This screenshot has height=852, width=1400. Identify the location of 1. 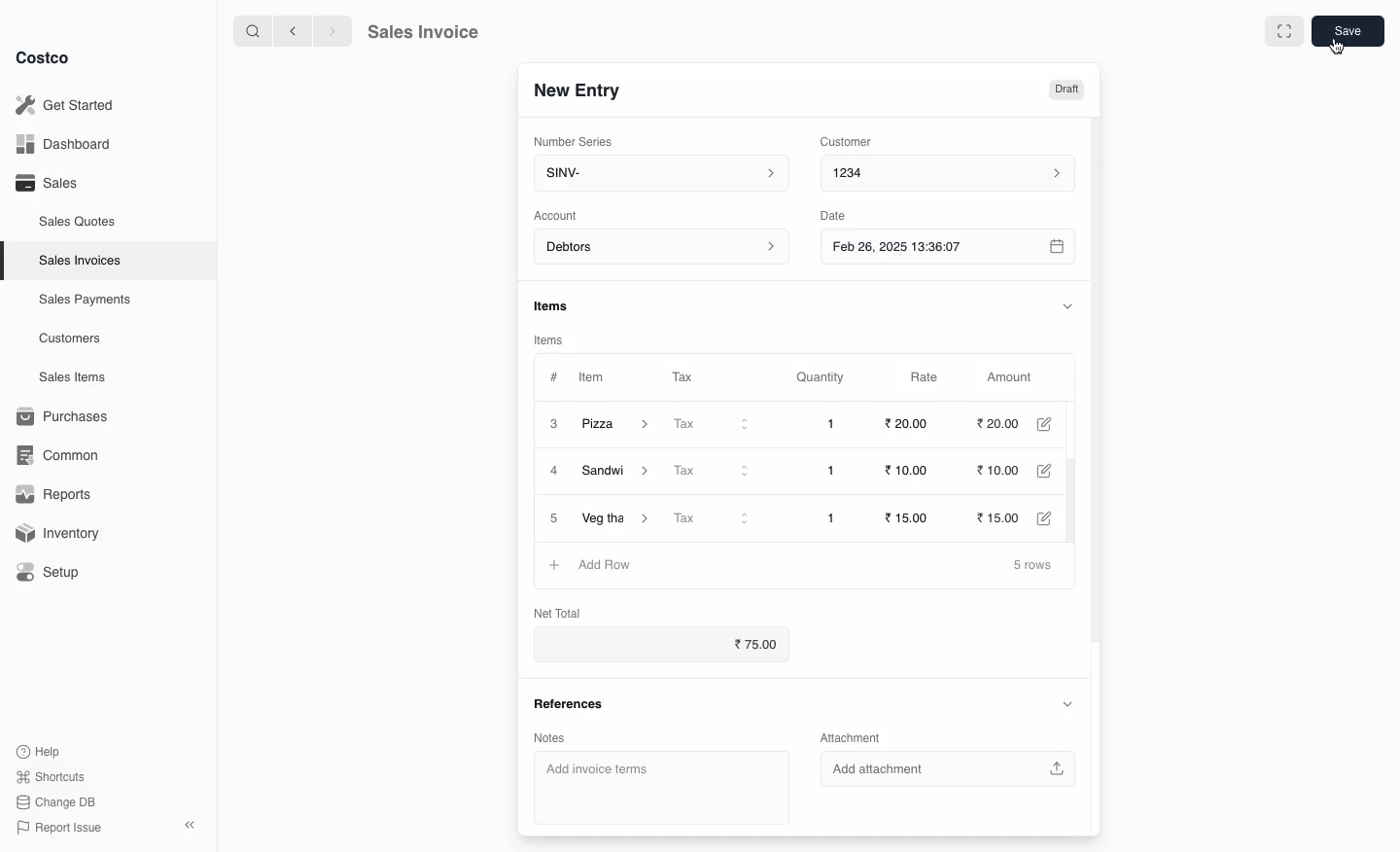
(836, 424).